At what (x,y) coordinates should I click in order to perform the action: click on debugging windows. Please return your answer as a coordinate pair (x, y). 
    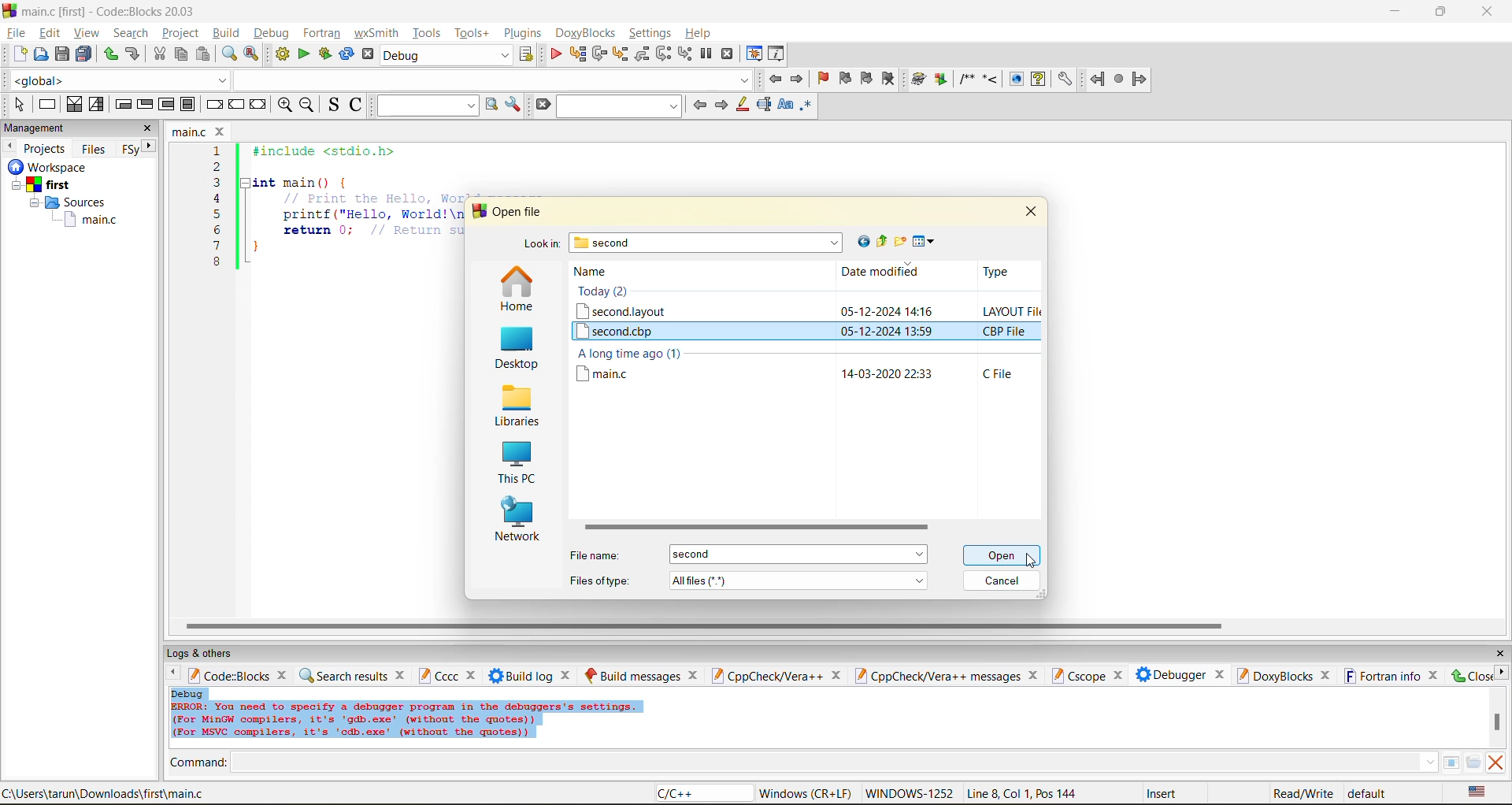
    Looking at the image, I should click on (754, 55).